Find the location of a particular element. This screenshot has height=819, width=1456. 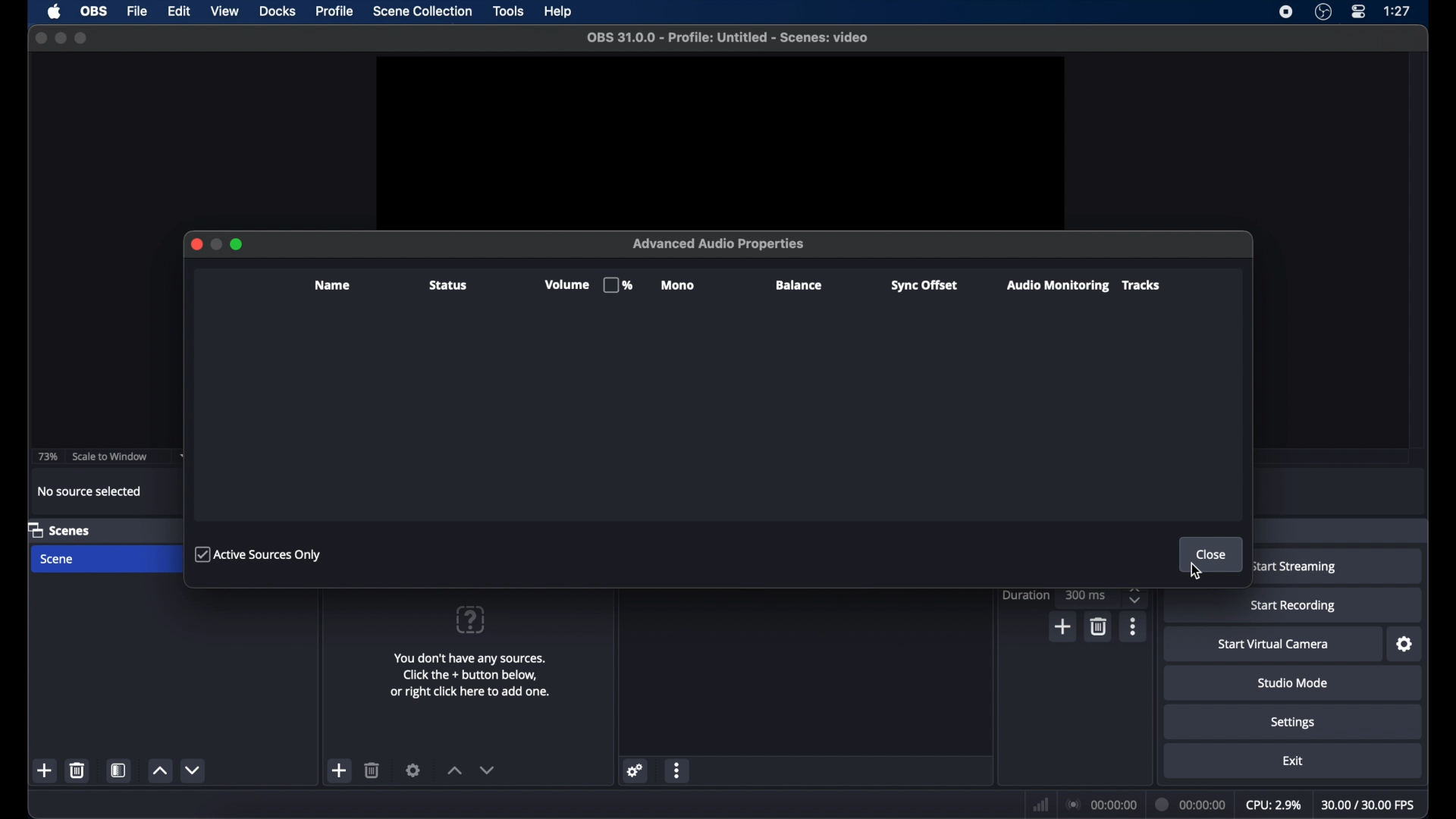

73% is located at coordinates (46, 457).